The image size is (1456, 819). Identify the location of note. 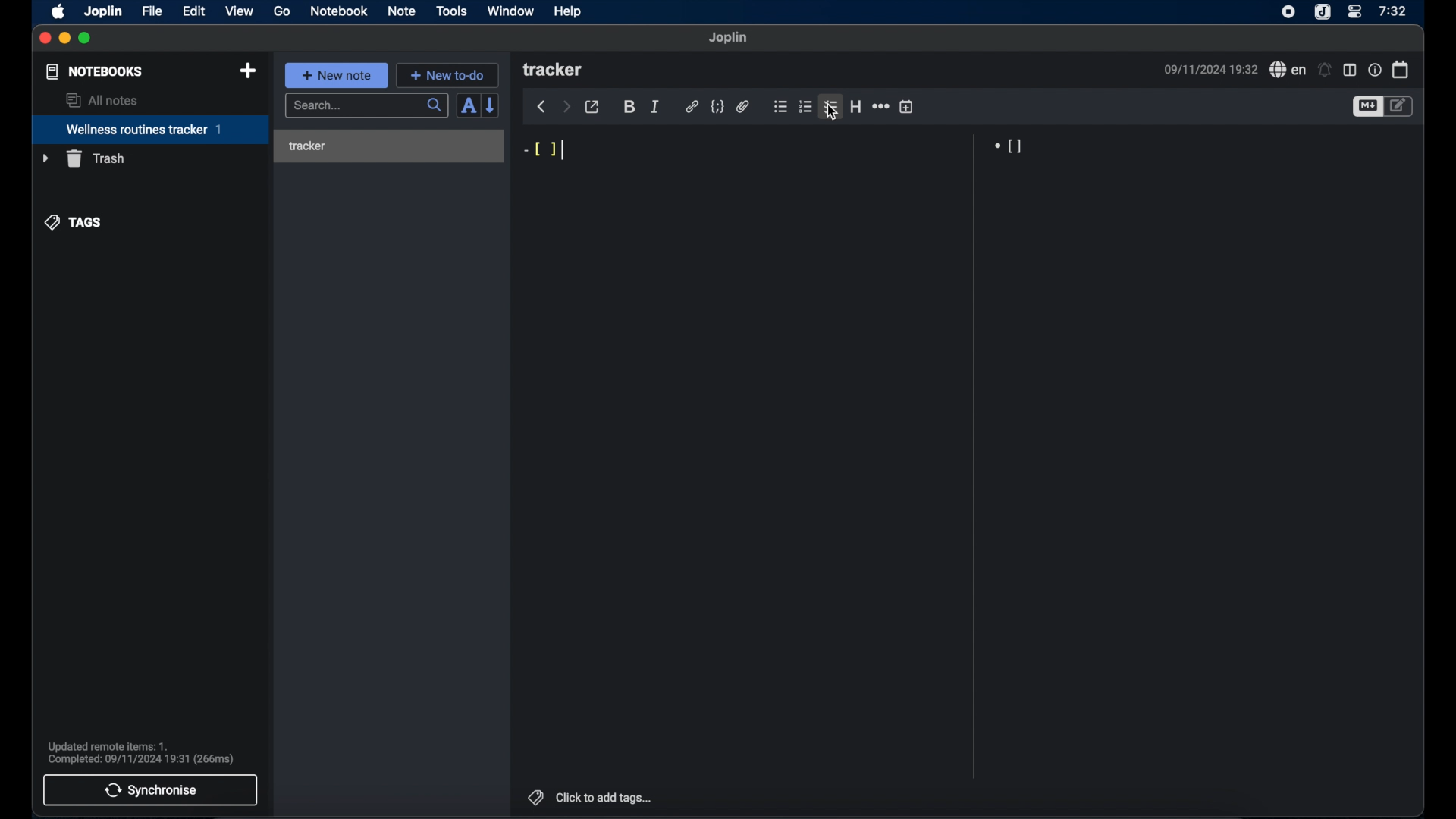
(402, 12).